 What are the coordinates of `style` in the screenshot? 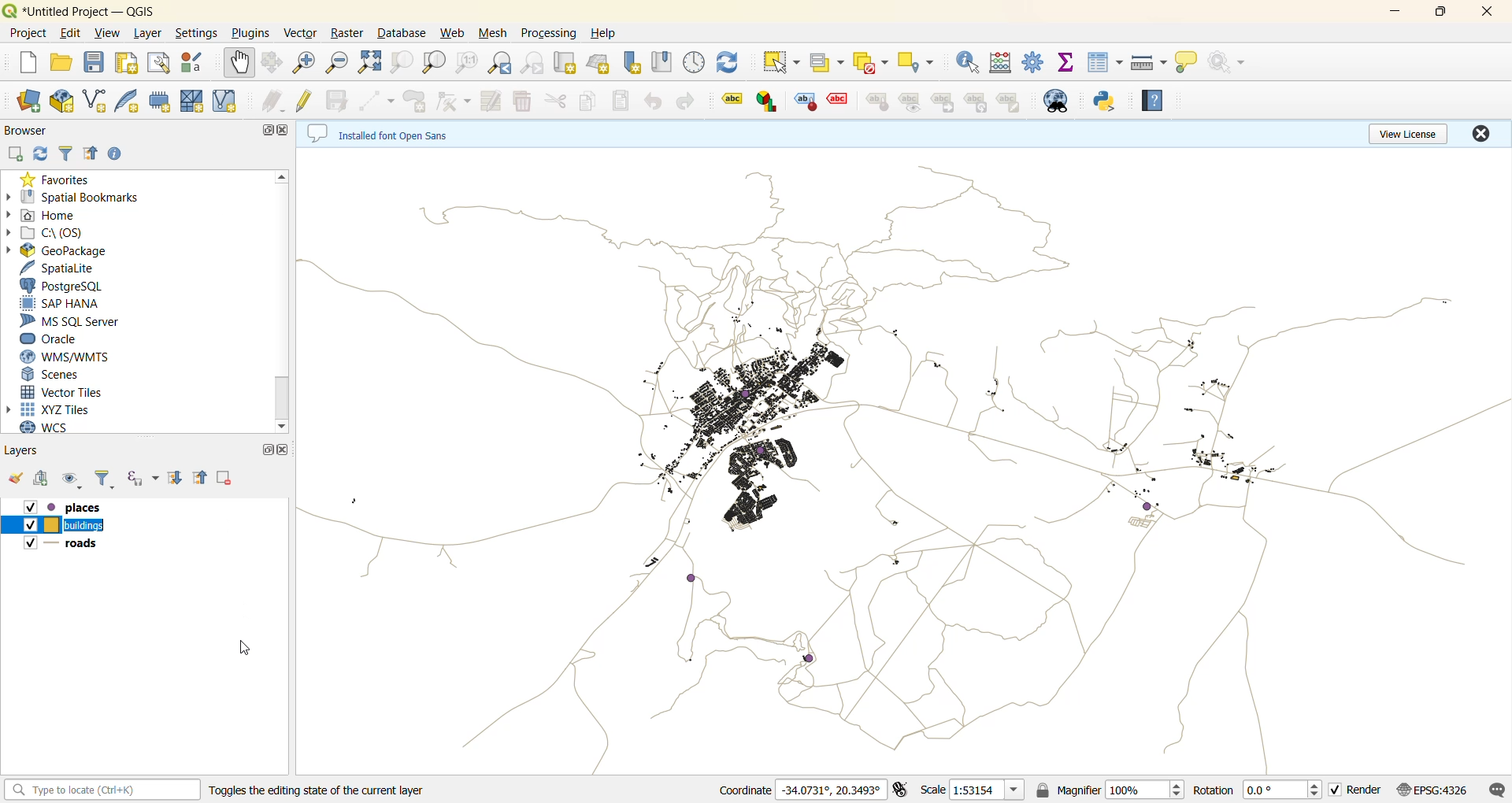 It's located at (806, 102).